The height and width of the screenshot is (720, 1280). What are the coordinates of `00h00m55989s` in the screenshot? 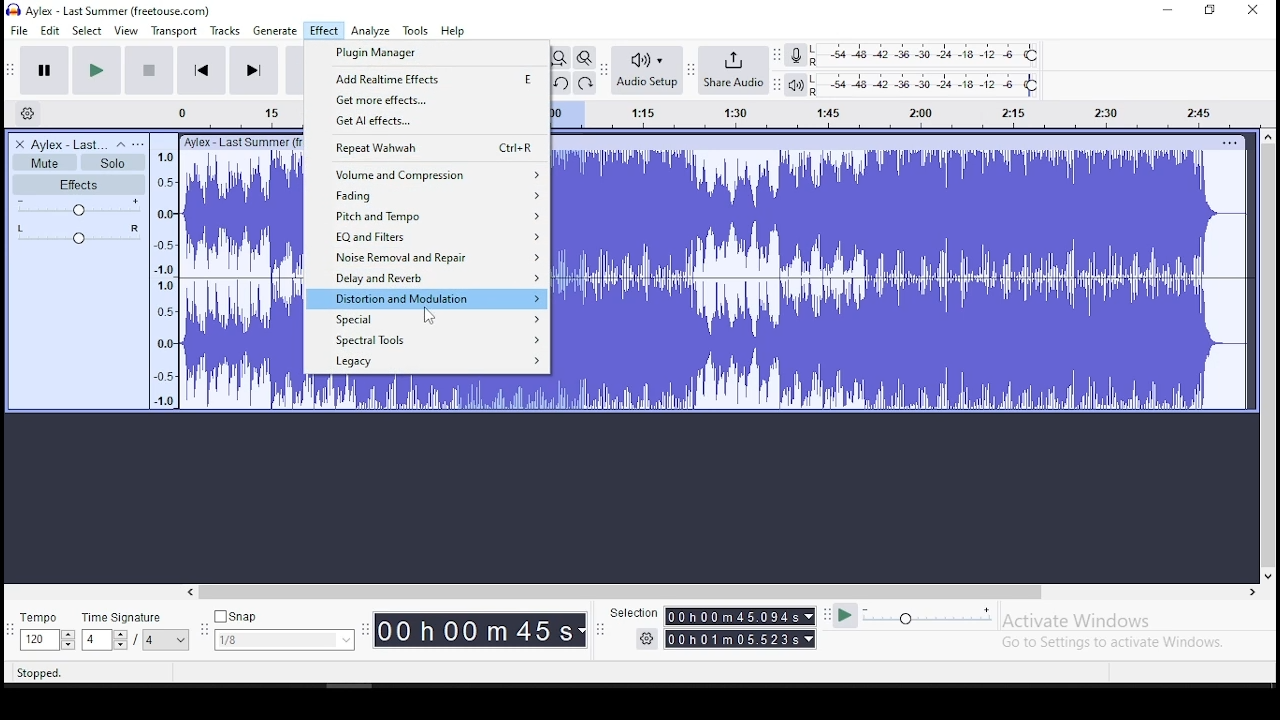 It's located at (741, 640).